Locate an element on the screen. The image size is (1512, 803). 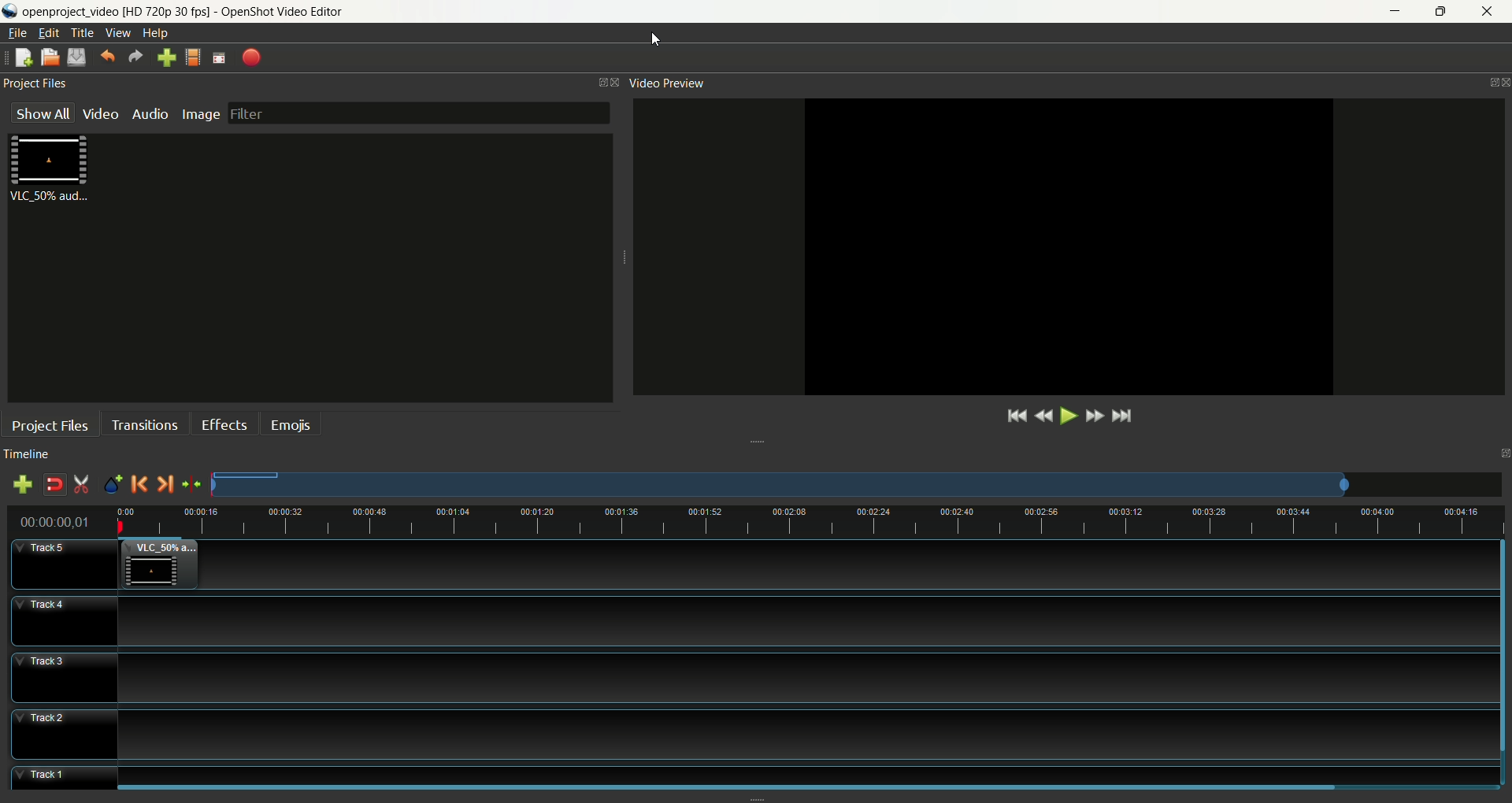
center the timeline on the playhead is located at coordinates (191, 485).